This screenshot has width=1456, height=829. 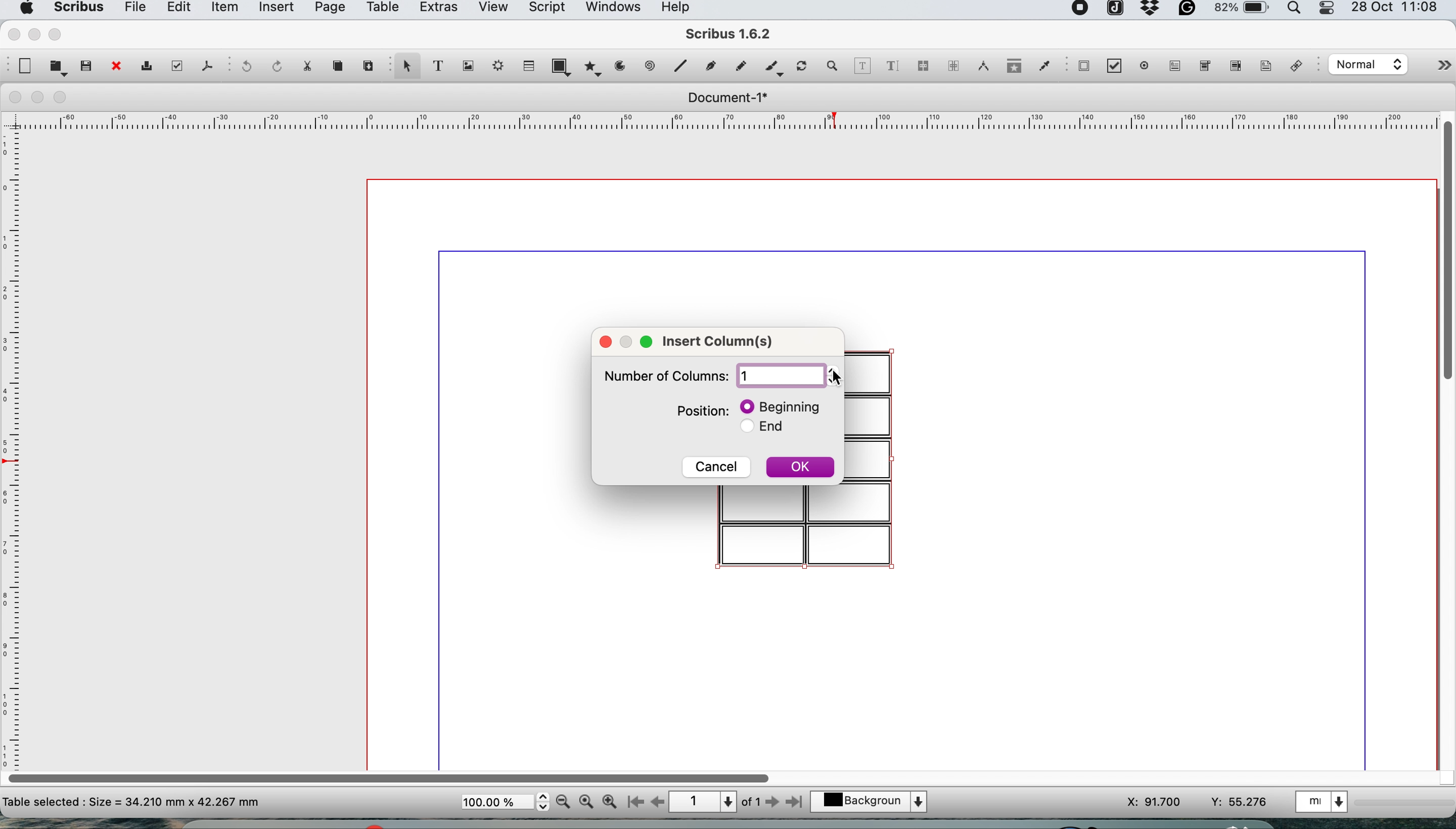 I want to click on close, so click(x=603, y=340).